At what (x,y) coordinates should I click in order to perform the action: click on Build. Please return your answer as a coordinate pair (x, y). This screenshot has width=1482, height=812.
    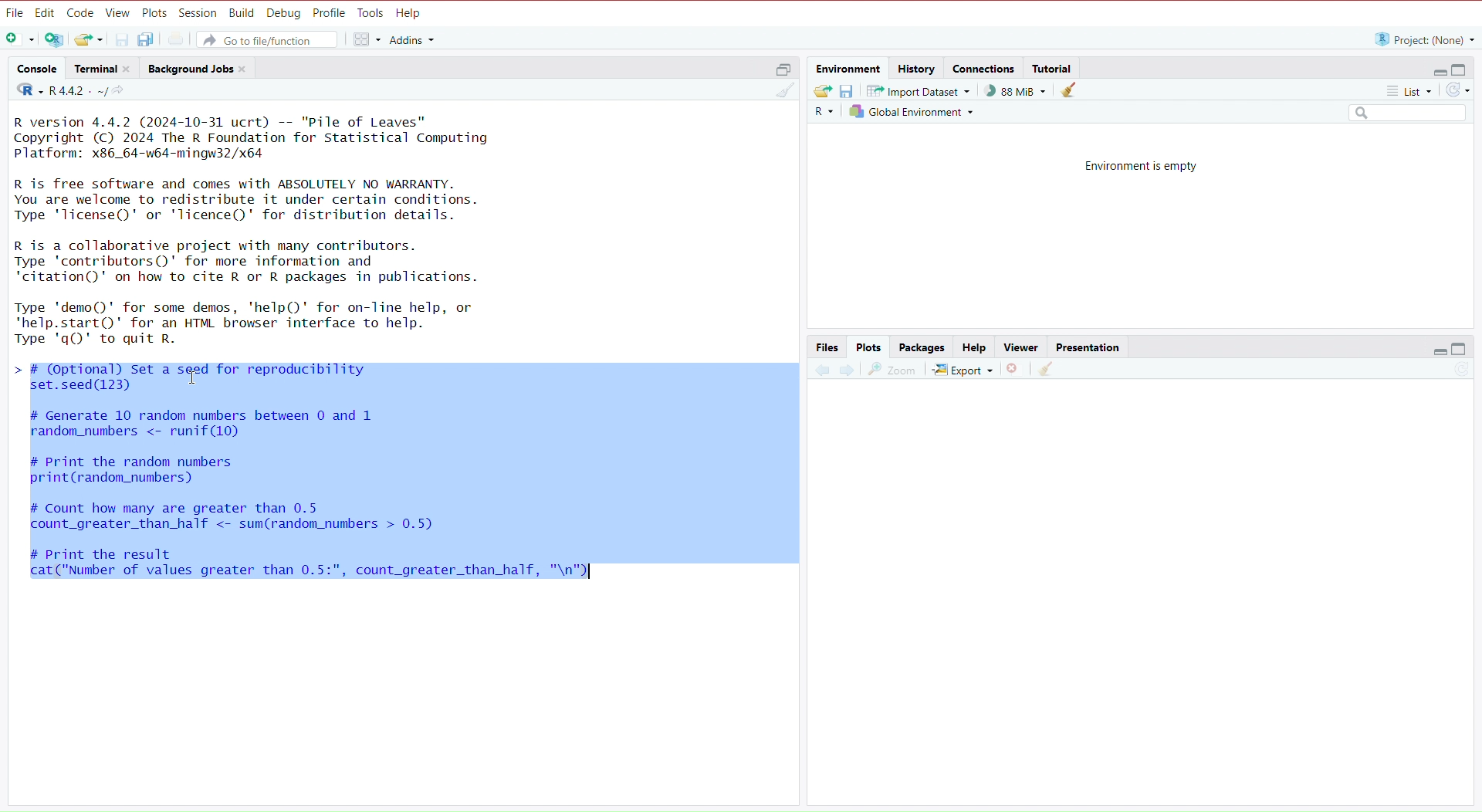
    Looking at the image, I should click on (242, 12).